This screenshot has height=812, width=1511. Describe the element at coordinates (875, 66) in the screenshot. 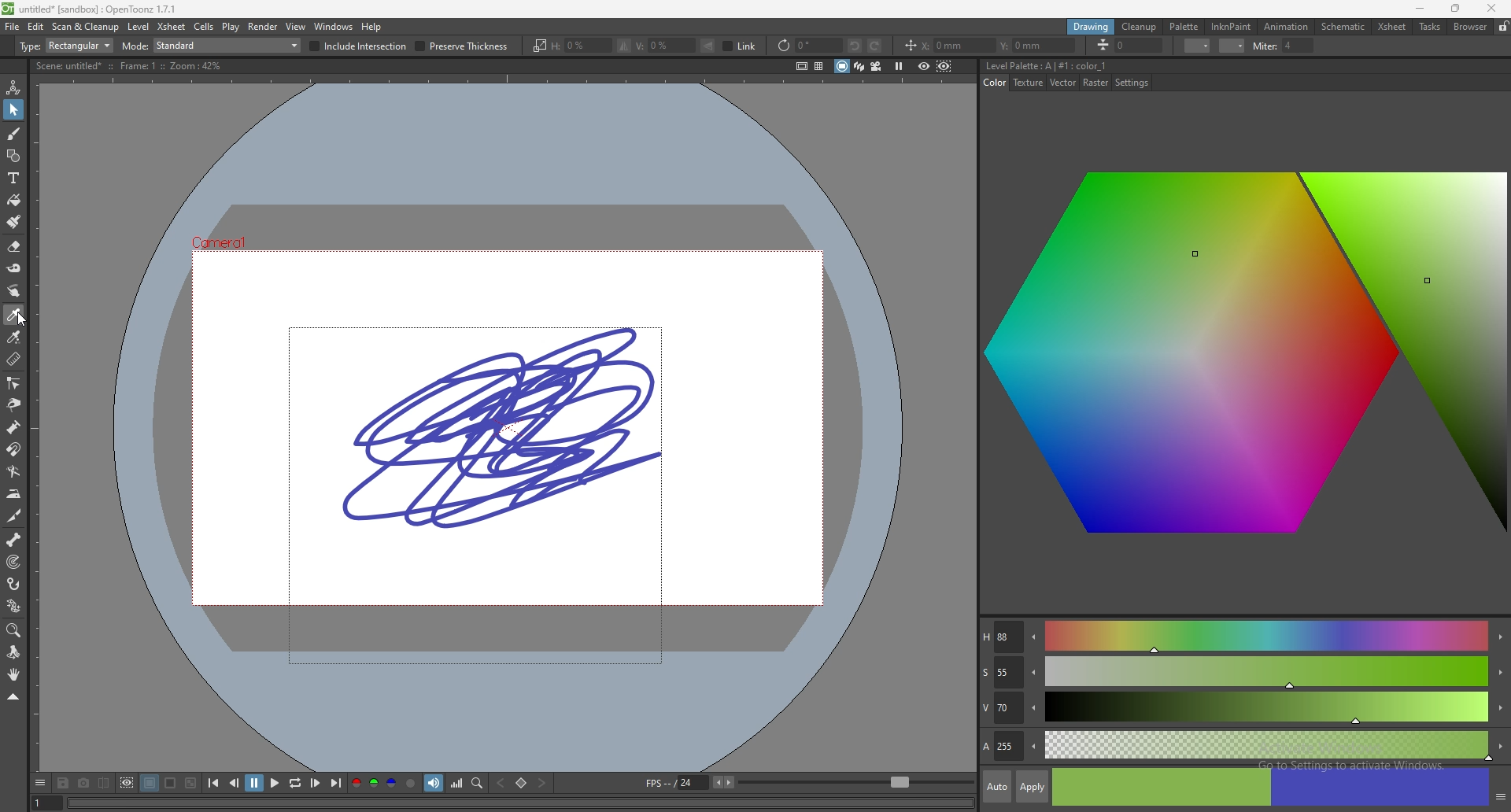

I see `camera view` at that location.